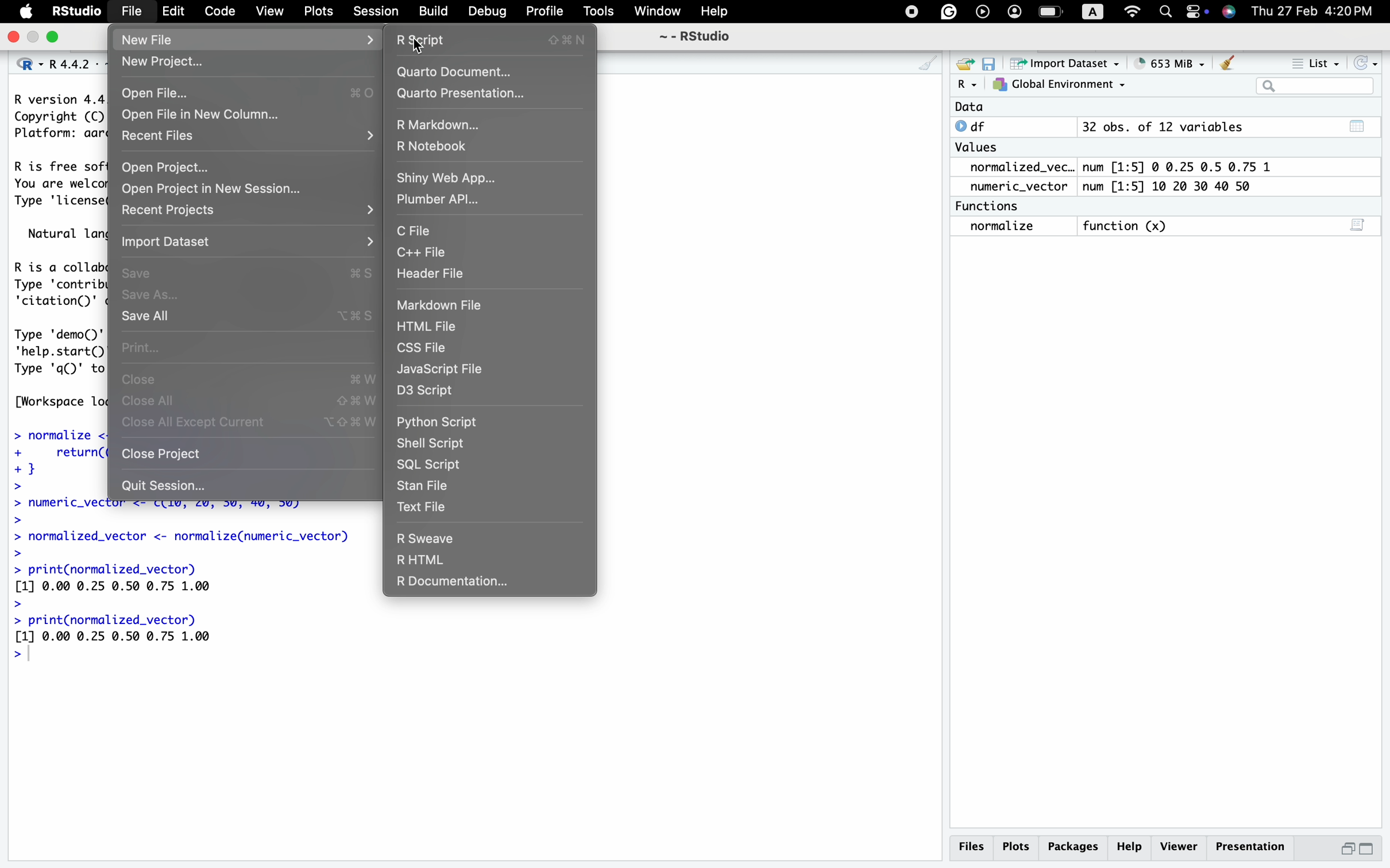 The height and width of the screenshot is (868, 1390). What do you see at coordinates (433, 10) in the screenshot?
I see `Build` at bounding box center [433, 10].